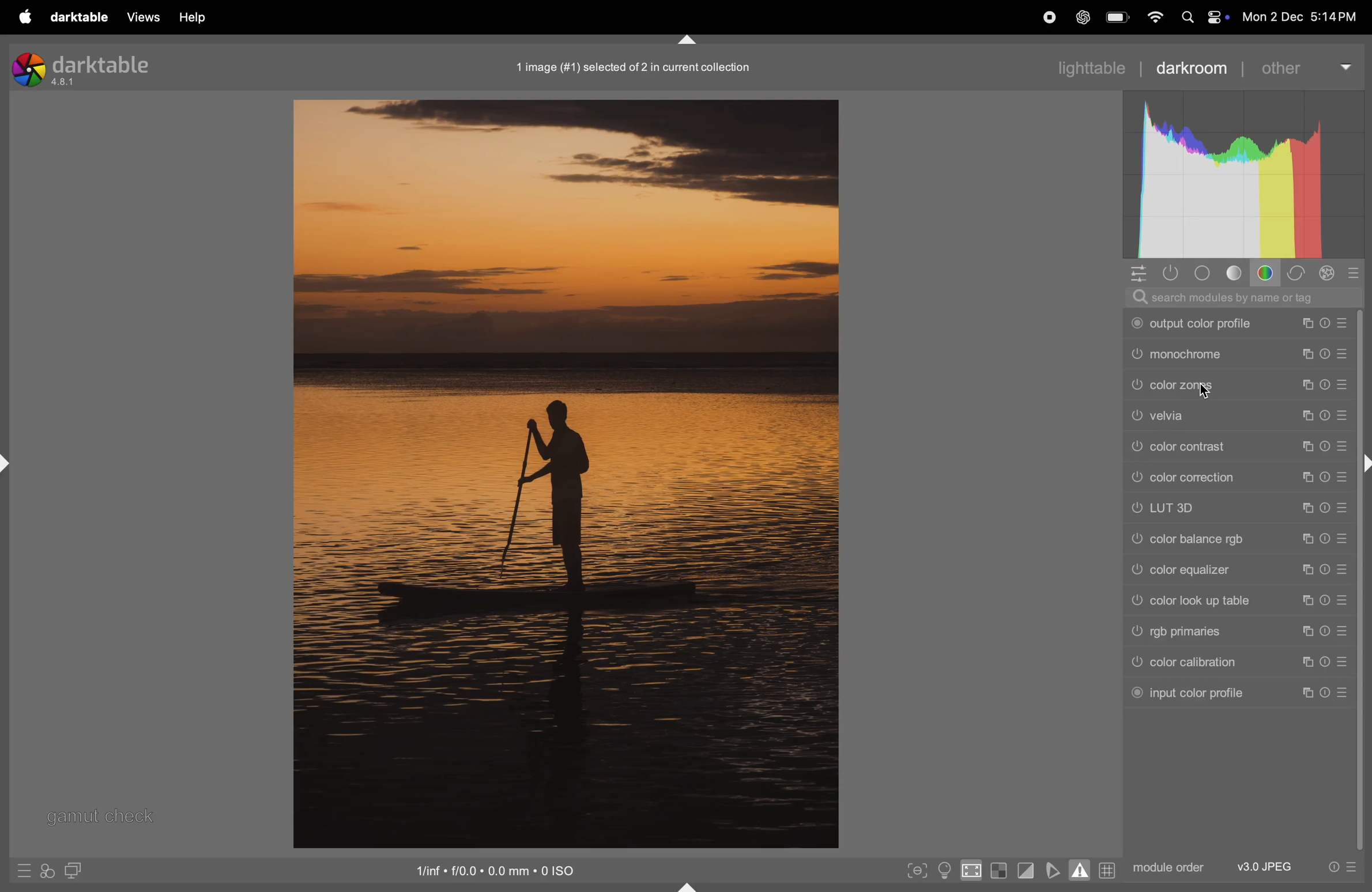  Describe the element at coordinates (1237, 272) in the screenshot. I see `tone` at that location.